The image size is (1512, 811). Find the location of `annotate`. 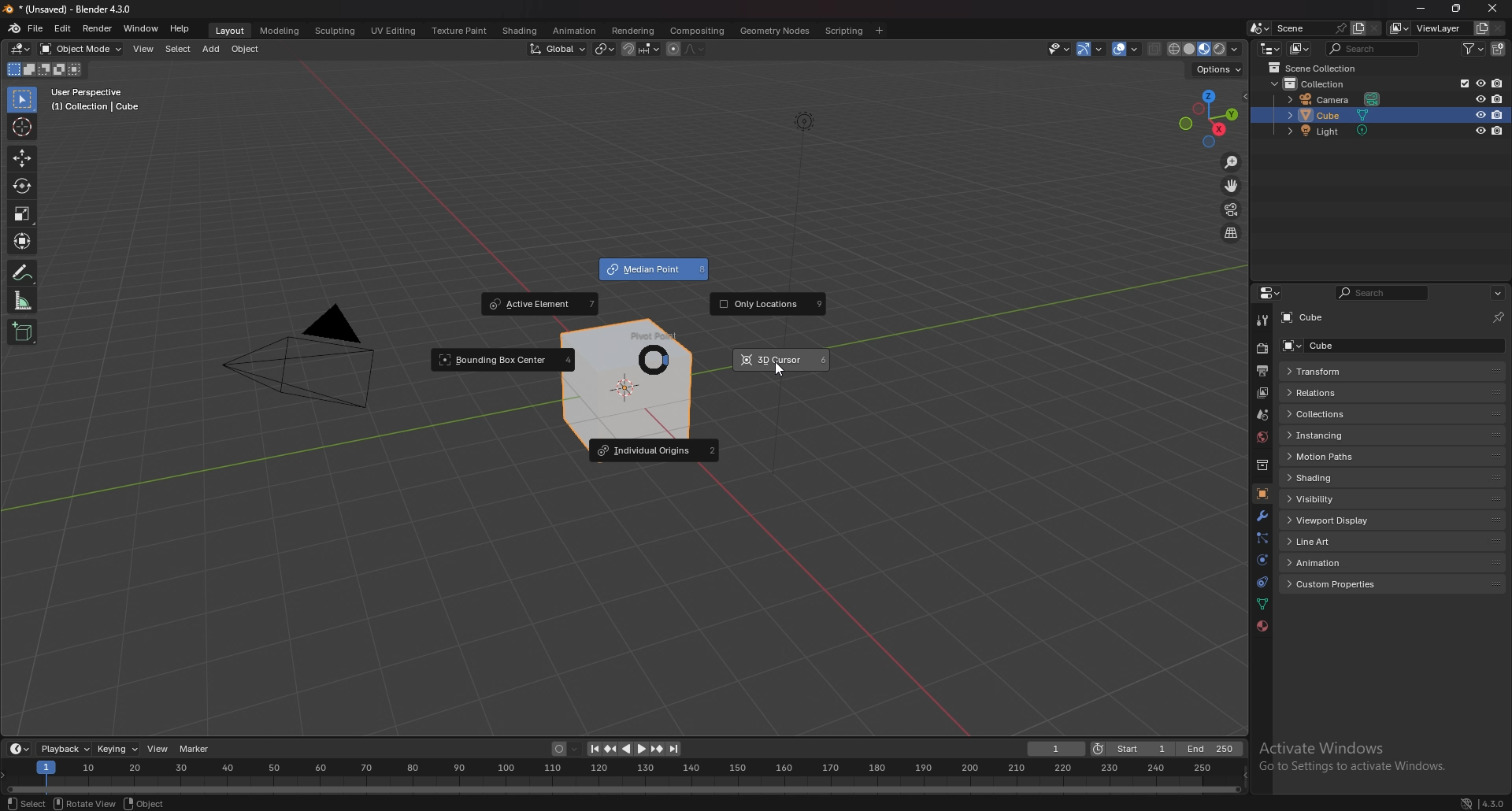

annotate is located at coordinates (21, 272).